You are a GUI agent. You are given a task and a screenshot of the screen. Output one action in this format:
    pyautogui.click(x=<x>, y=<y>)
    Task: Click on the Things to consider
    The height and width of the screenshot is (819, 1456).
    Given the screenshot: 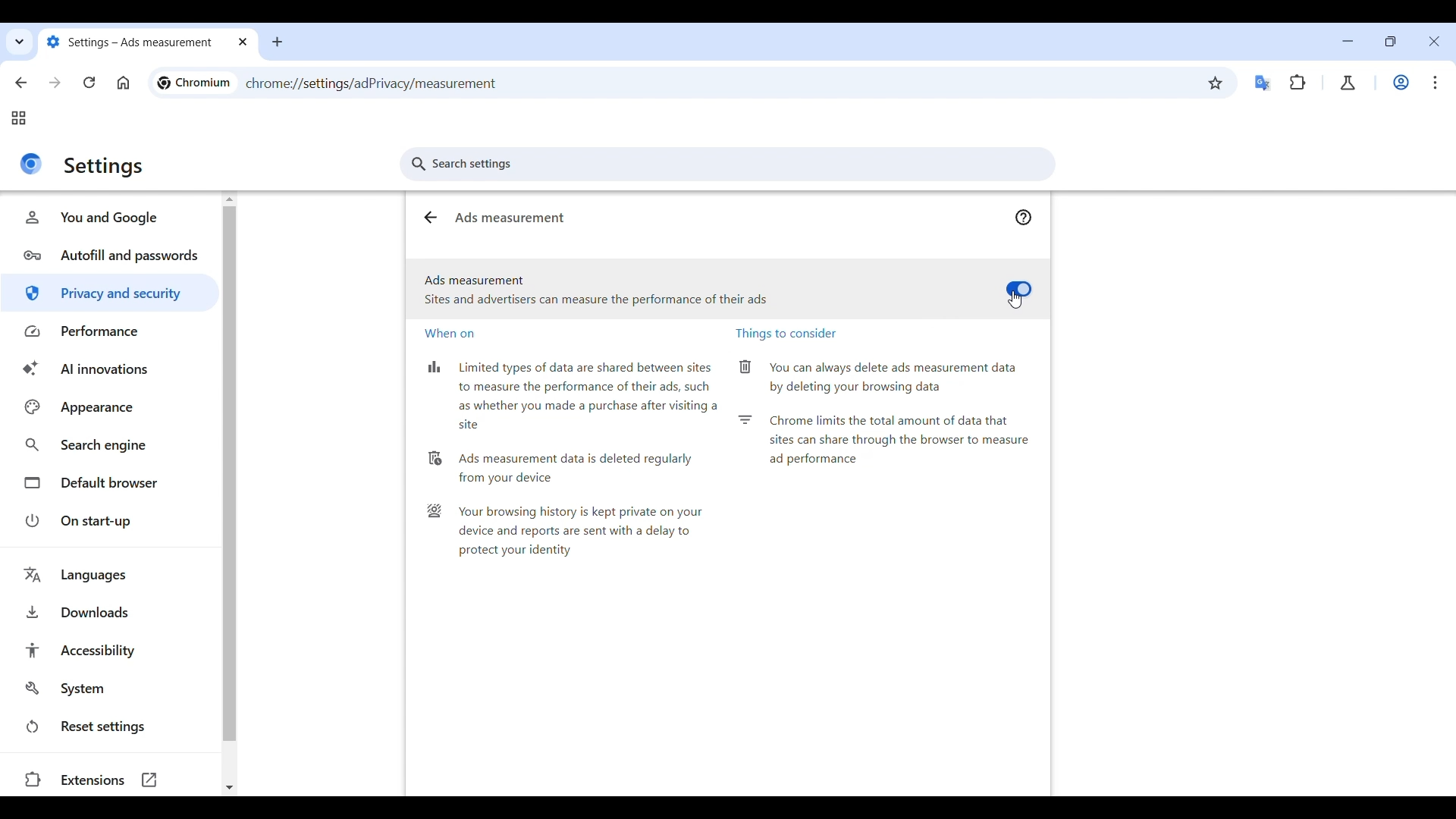 What is the action you would take?
    pyautogui.click(x=795, y=335)
    